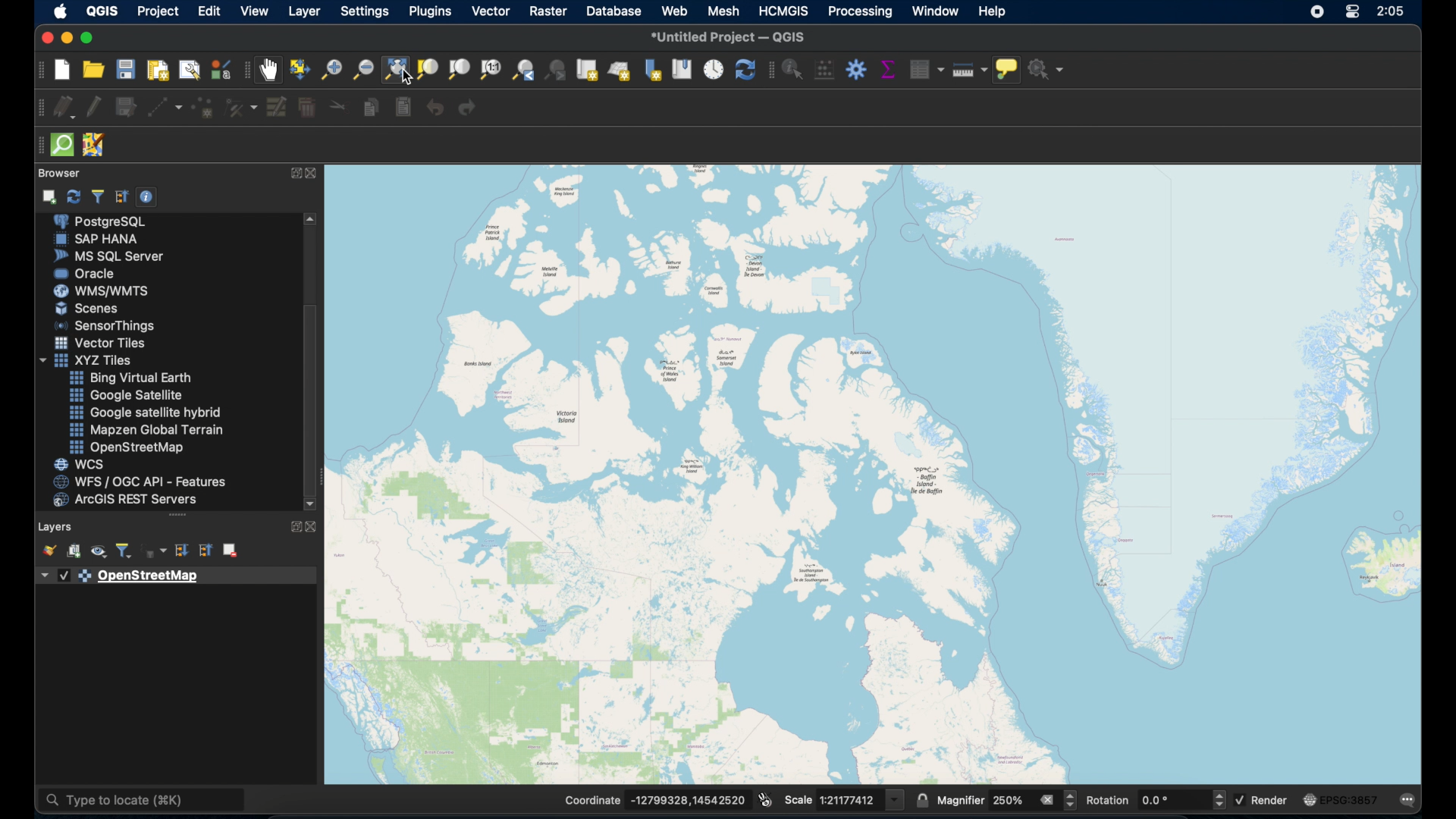 This screenshot has height=819, width=1456. Describe the element at coordinates (42, 69) in the screenshot. I see `project toolbar` at that location.